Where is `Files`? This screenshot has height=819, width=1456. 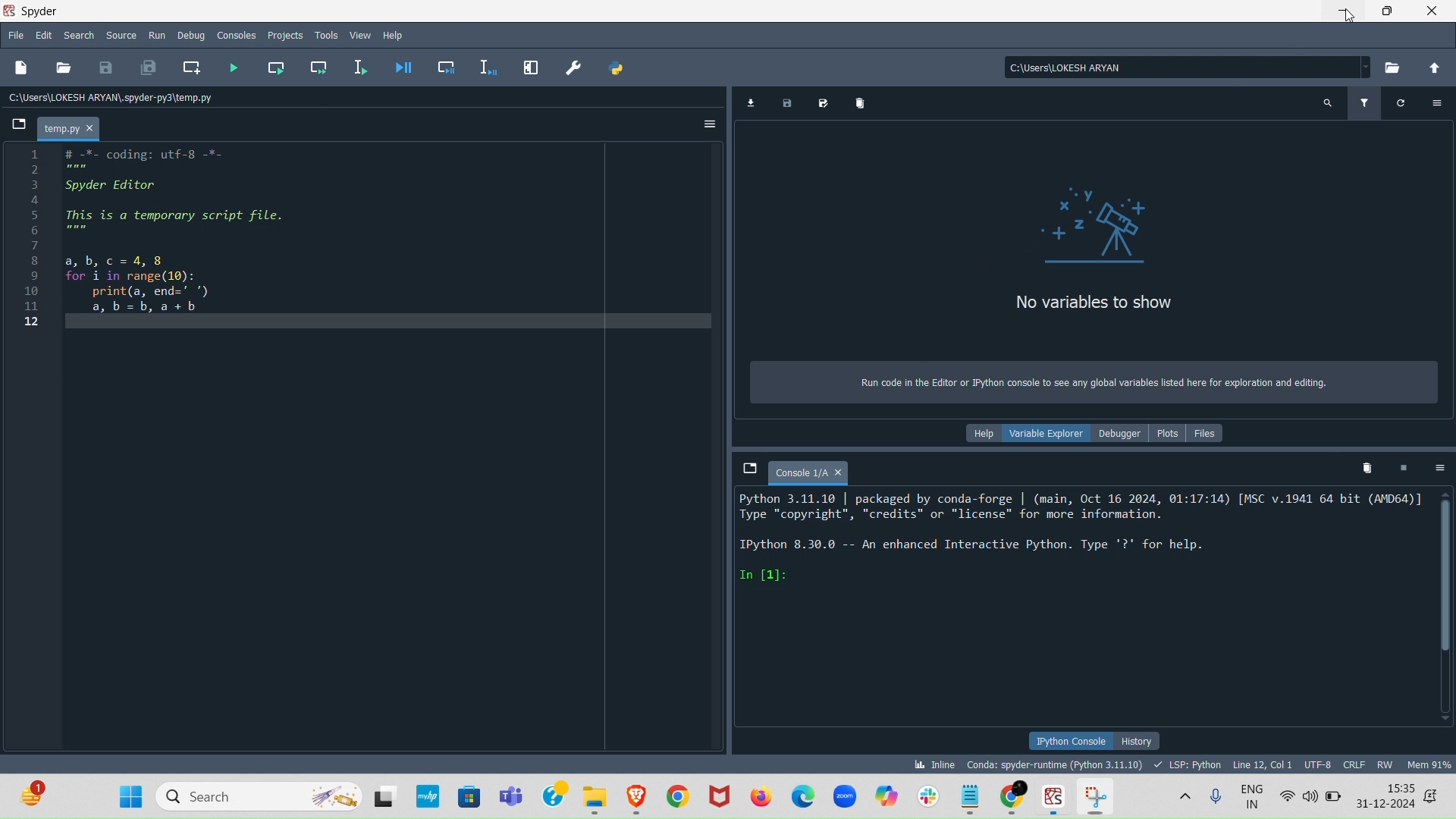 Files is located at coordinates (1216, 431).